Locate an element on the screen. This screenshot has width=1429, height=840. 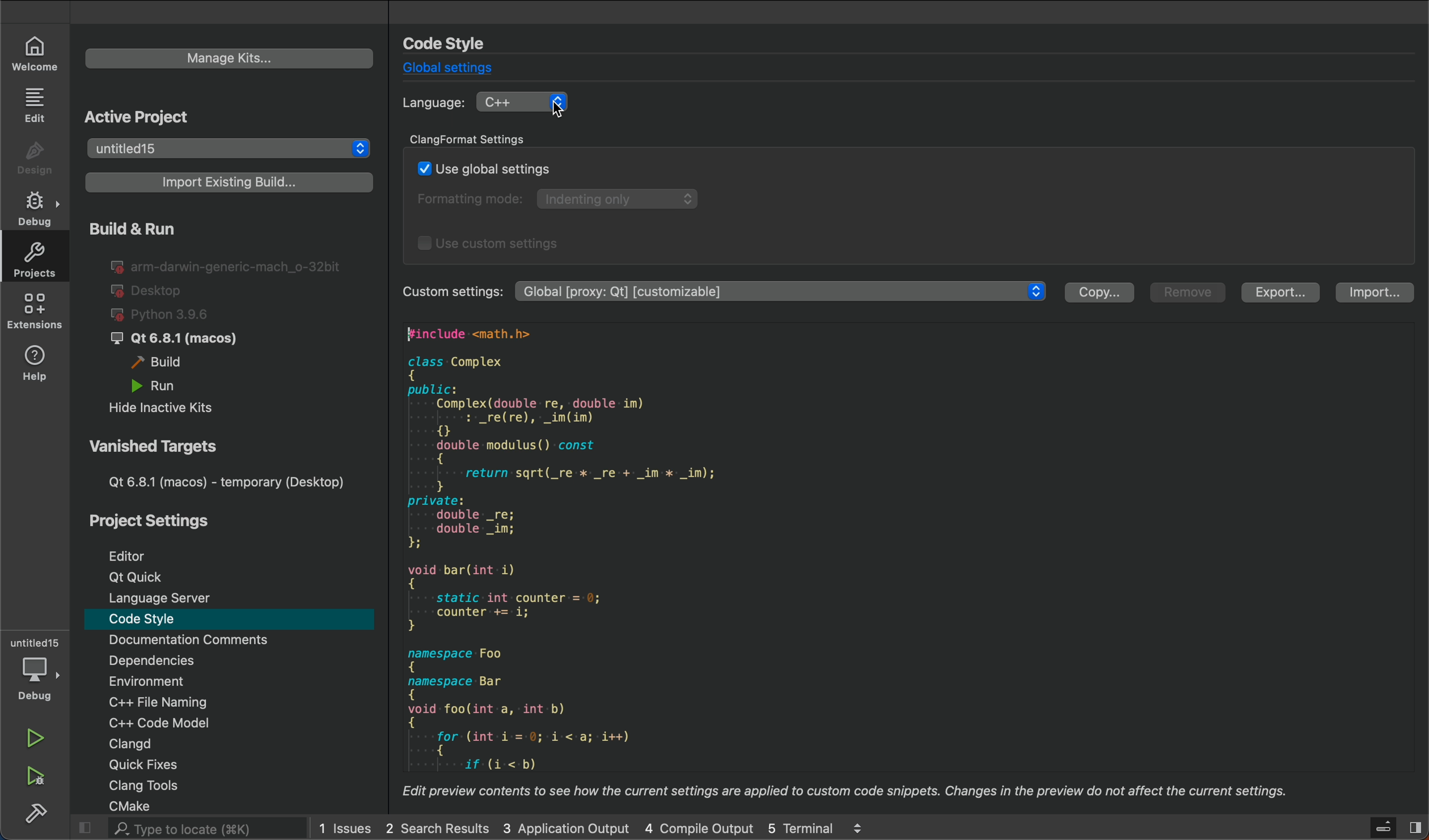
language is located at coordinates (433, 103).